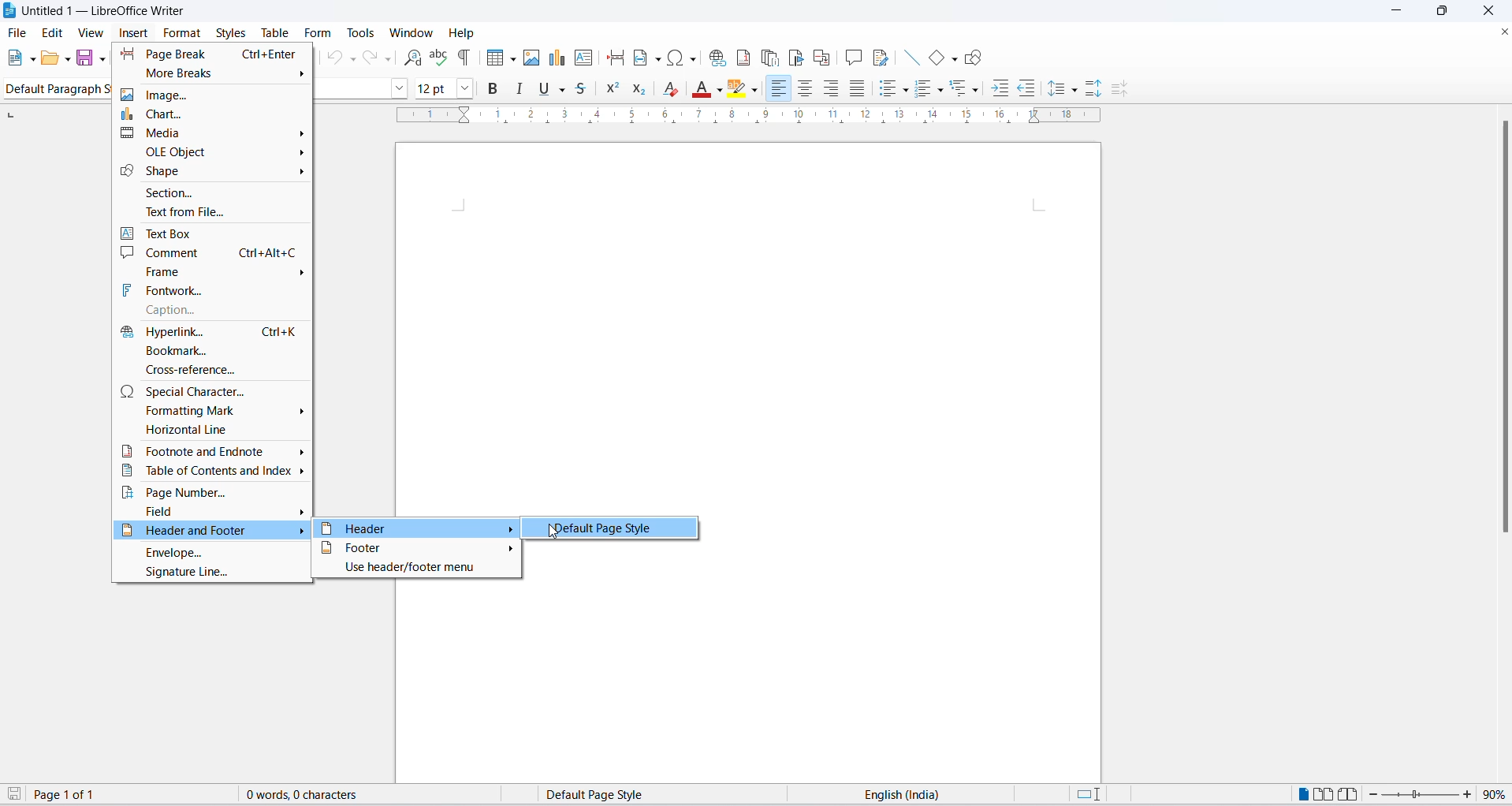  I want to click on bold, so click(496, 91).